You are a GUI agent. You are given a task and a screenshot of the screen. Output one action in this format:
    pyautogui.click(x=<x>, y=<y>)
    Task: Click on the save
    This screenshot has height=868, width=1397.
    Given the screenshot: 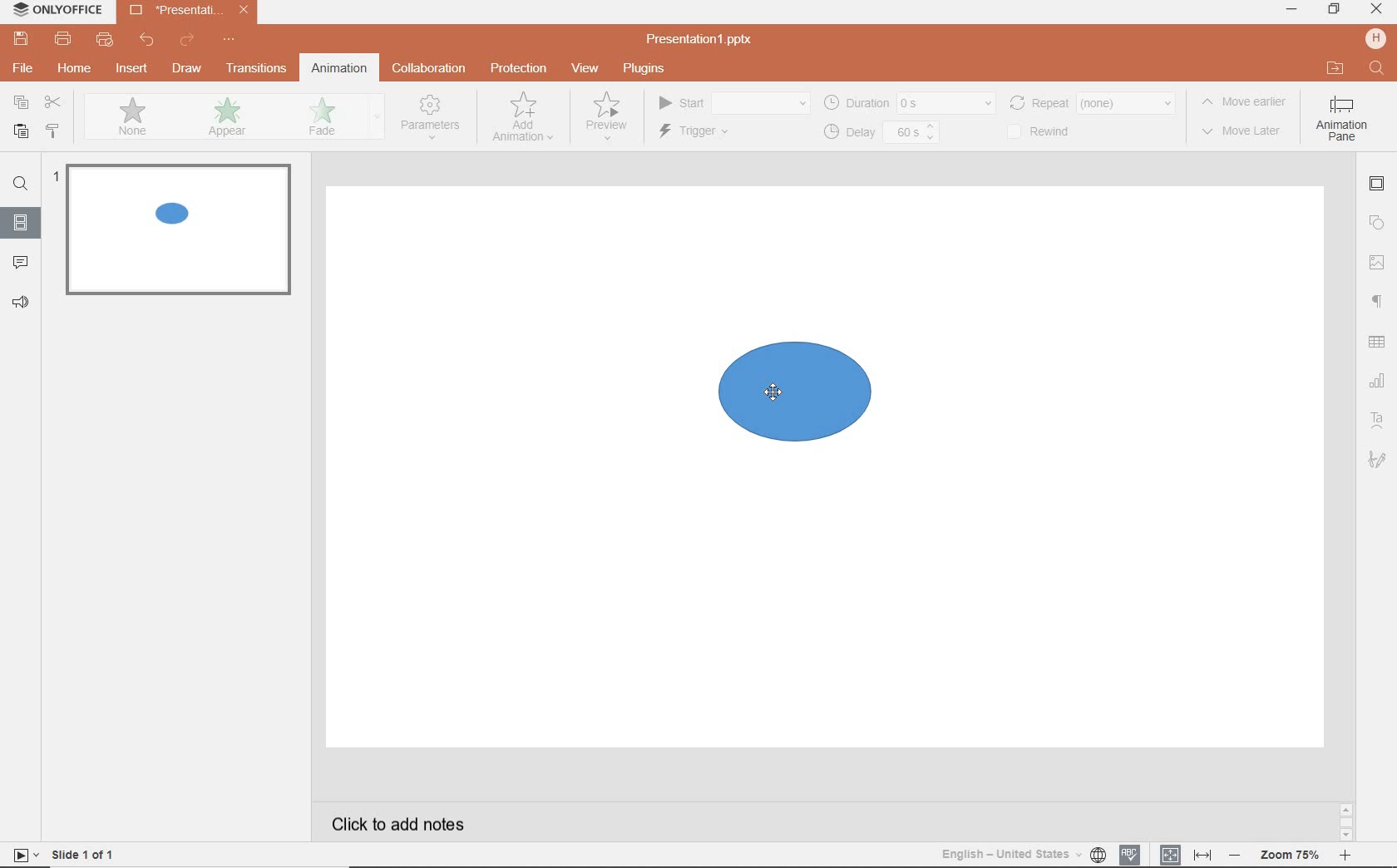 What is the action you would take?
    pyautogui.click(x=20, y=39)
    